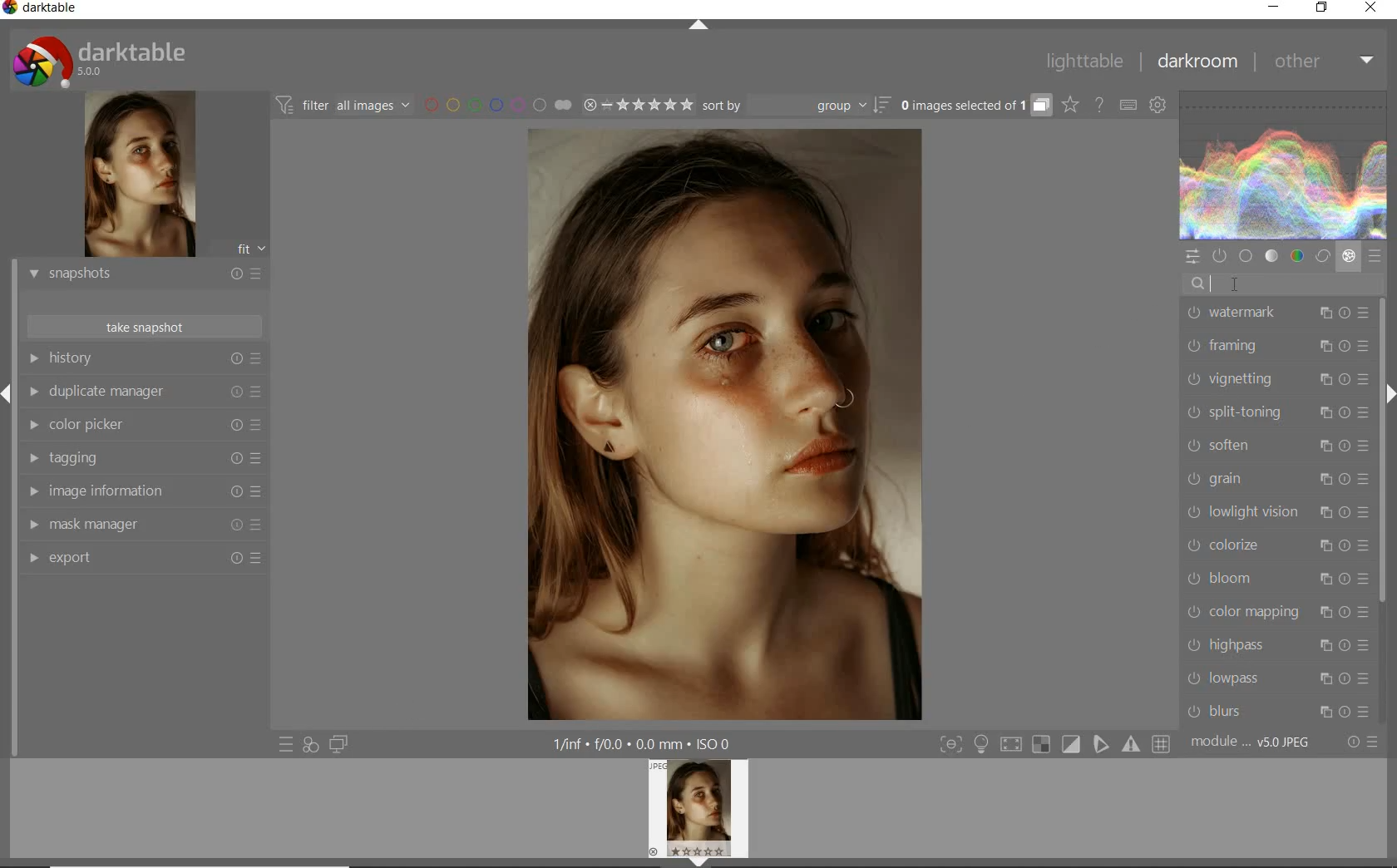  I want to click on reset or presets & preferences, so click(1364, 742).